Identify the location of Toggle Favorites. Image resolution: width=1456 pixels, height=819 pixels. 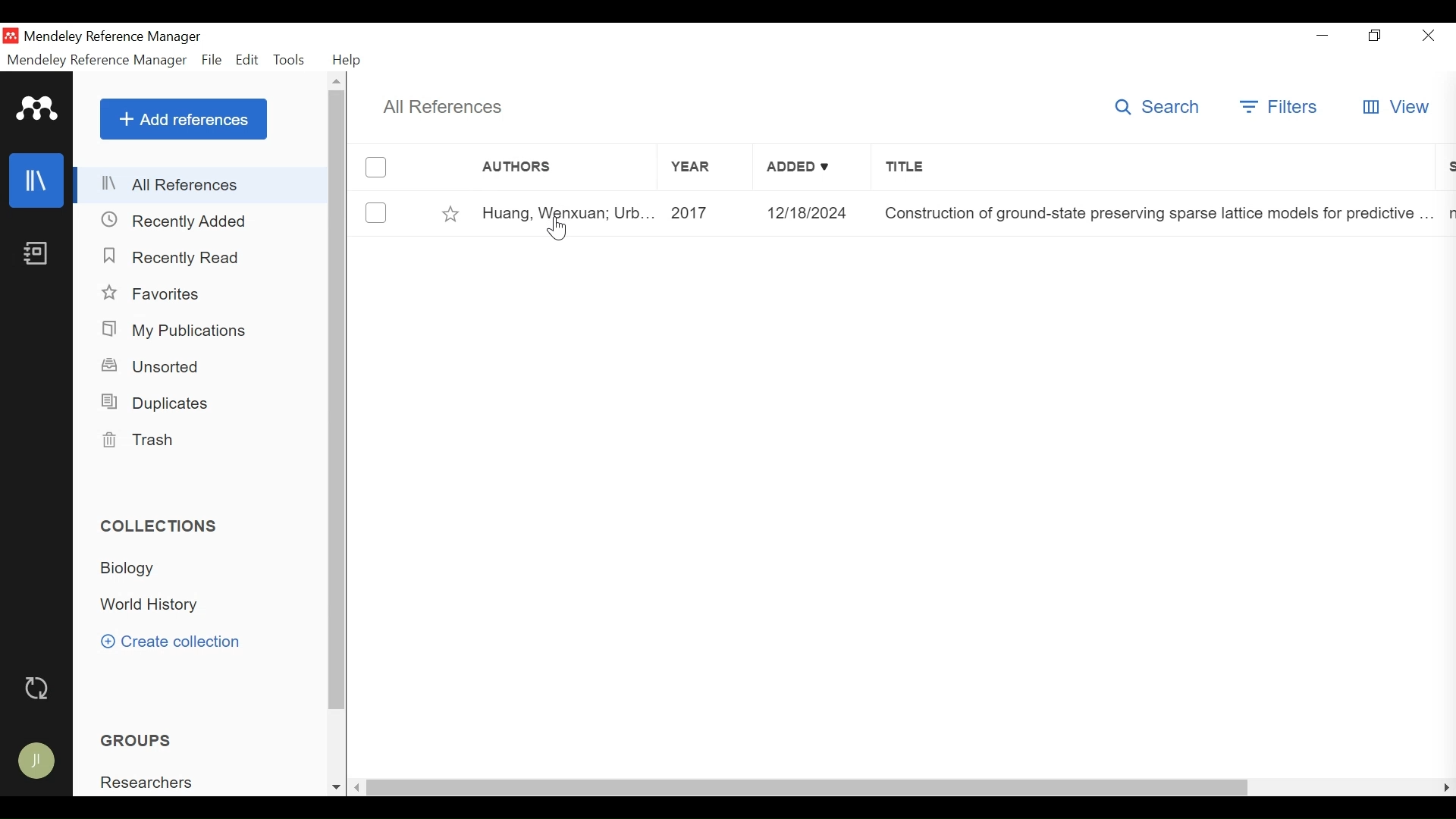
(451, 213).